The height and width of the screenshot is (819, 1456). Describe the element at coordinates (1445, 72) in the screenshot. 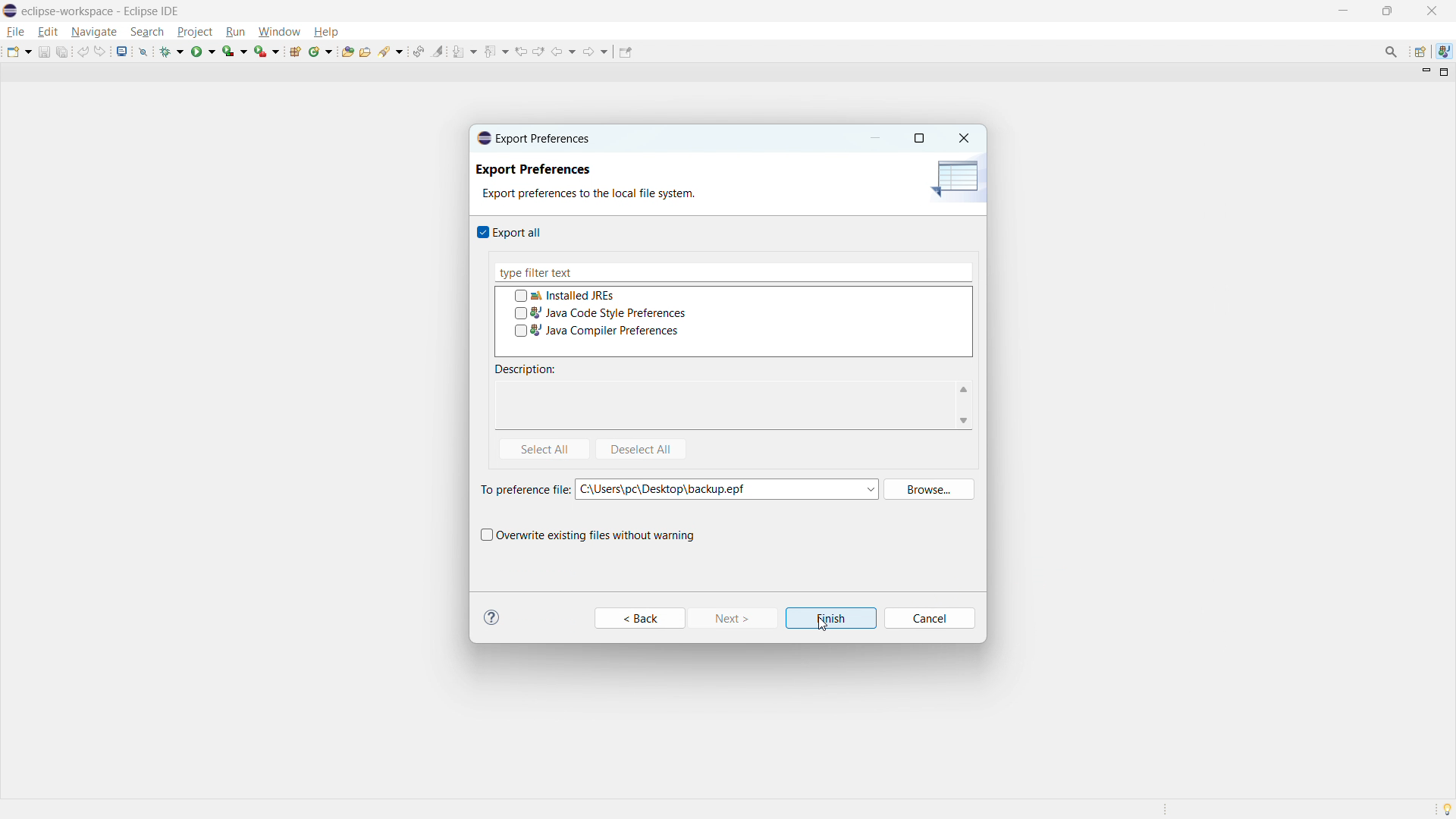

I see `maximize view` at that location.